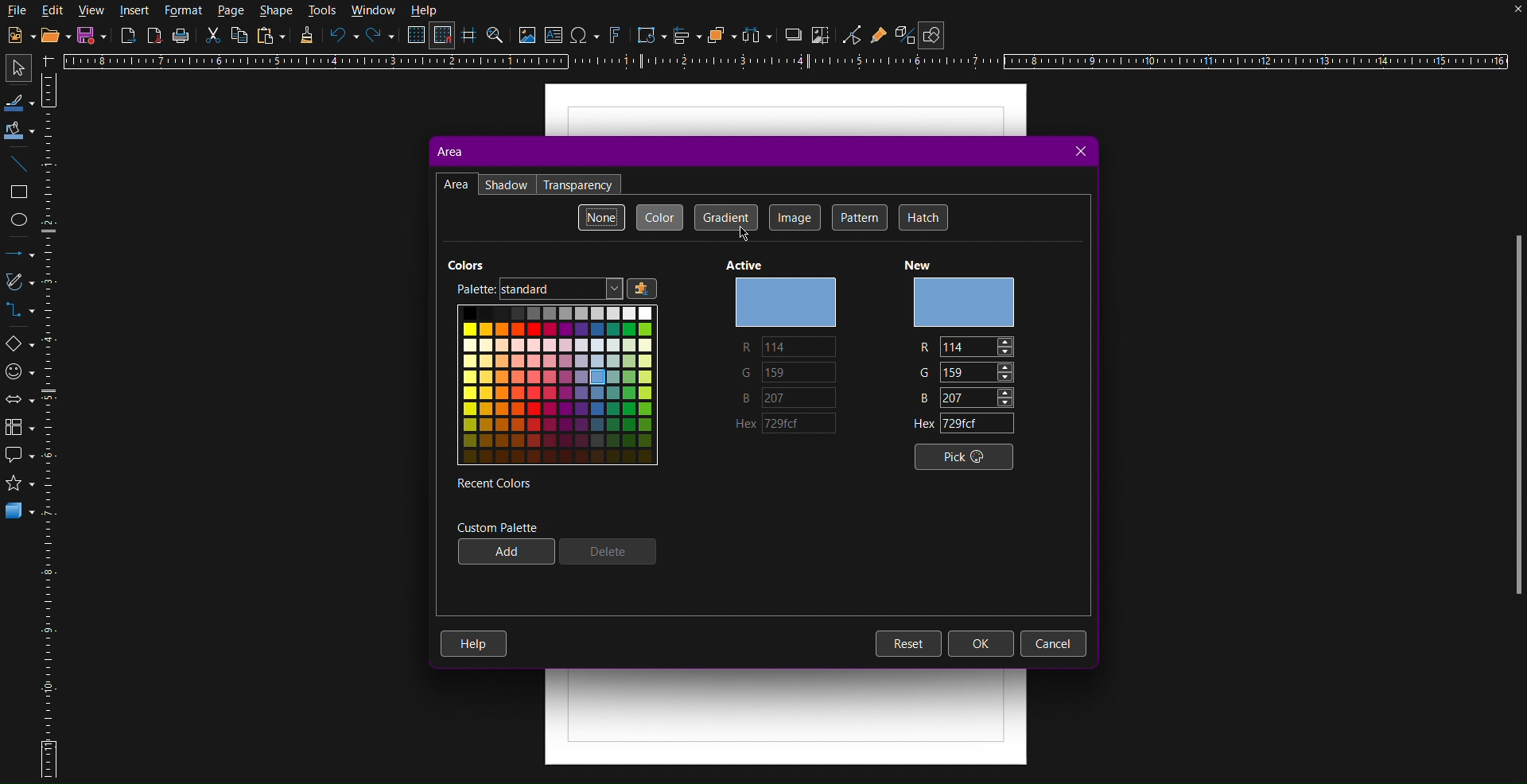 This screenshot has height=784, width=1527. What do you see at coordinates (474, 645) in the screenshot?
I see `Help` at bounding box center [474, 645].